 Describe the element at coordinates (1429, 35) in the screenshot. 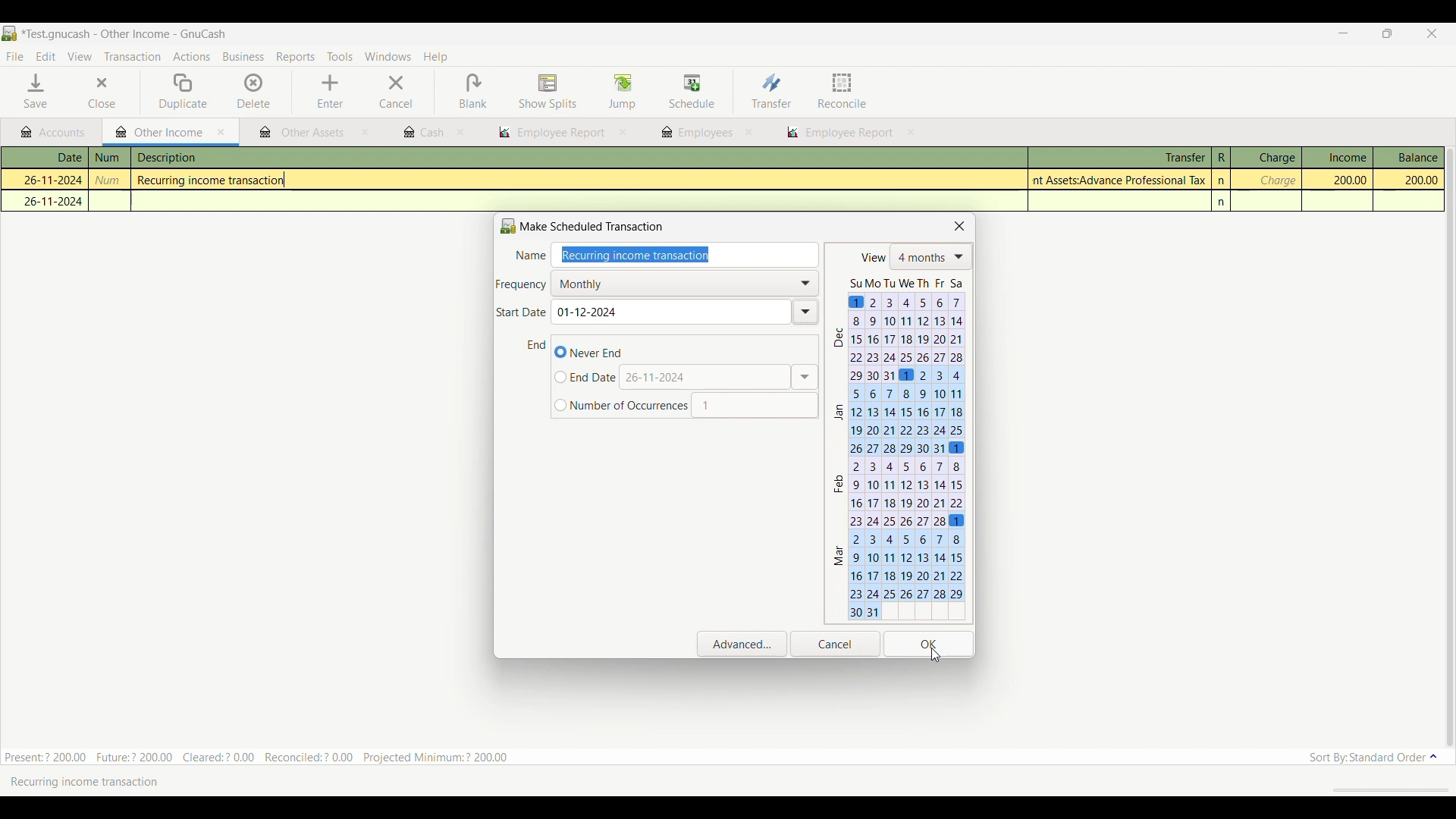

I see `Close interface` at that location.